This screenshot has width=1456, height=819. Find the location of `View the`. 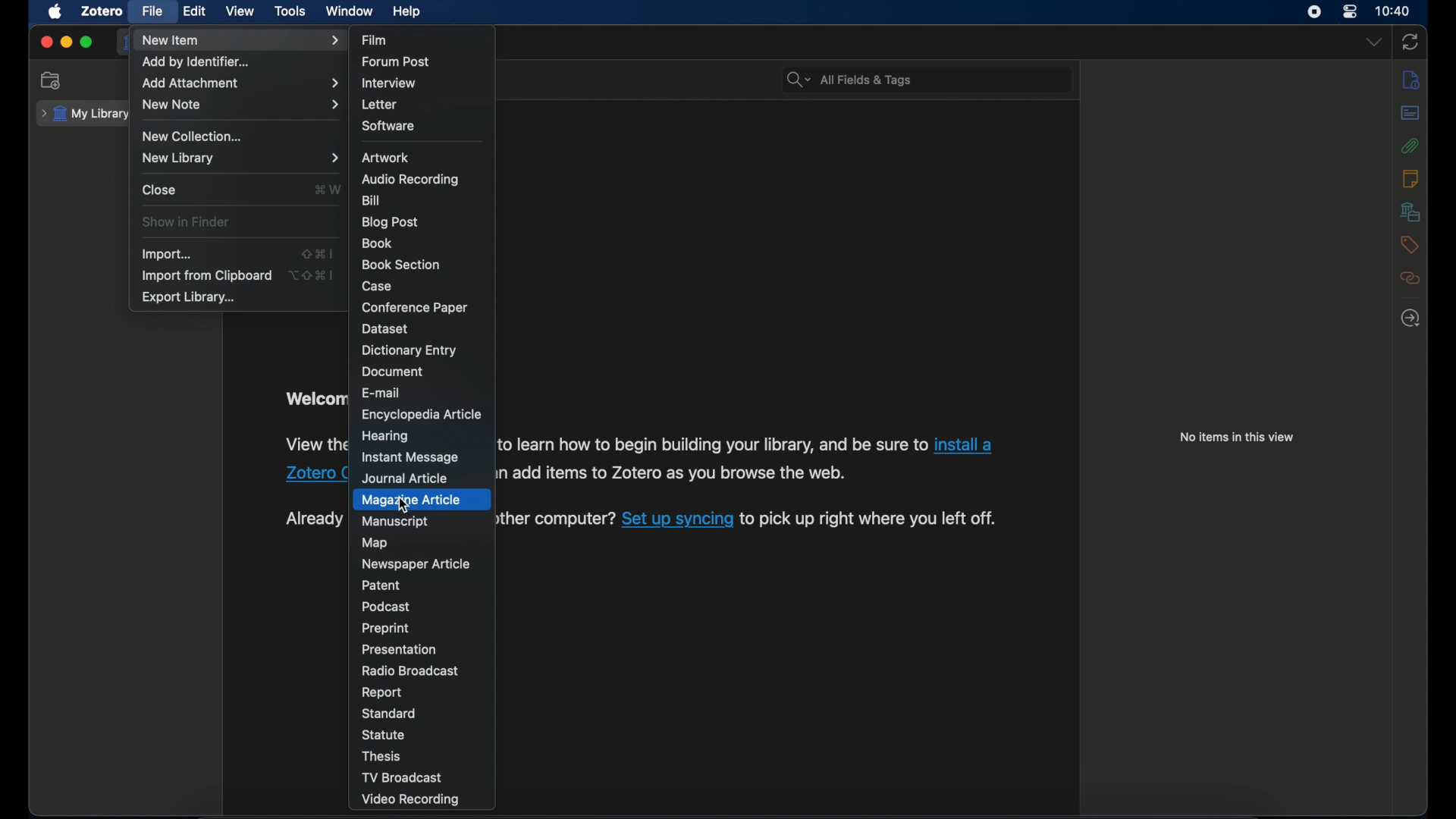

View the is located at coordinates (314, 444).